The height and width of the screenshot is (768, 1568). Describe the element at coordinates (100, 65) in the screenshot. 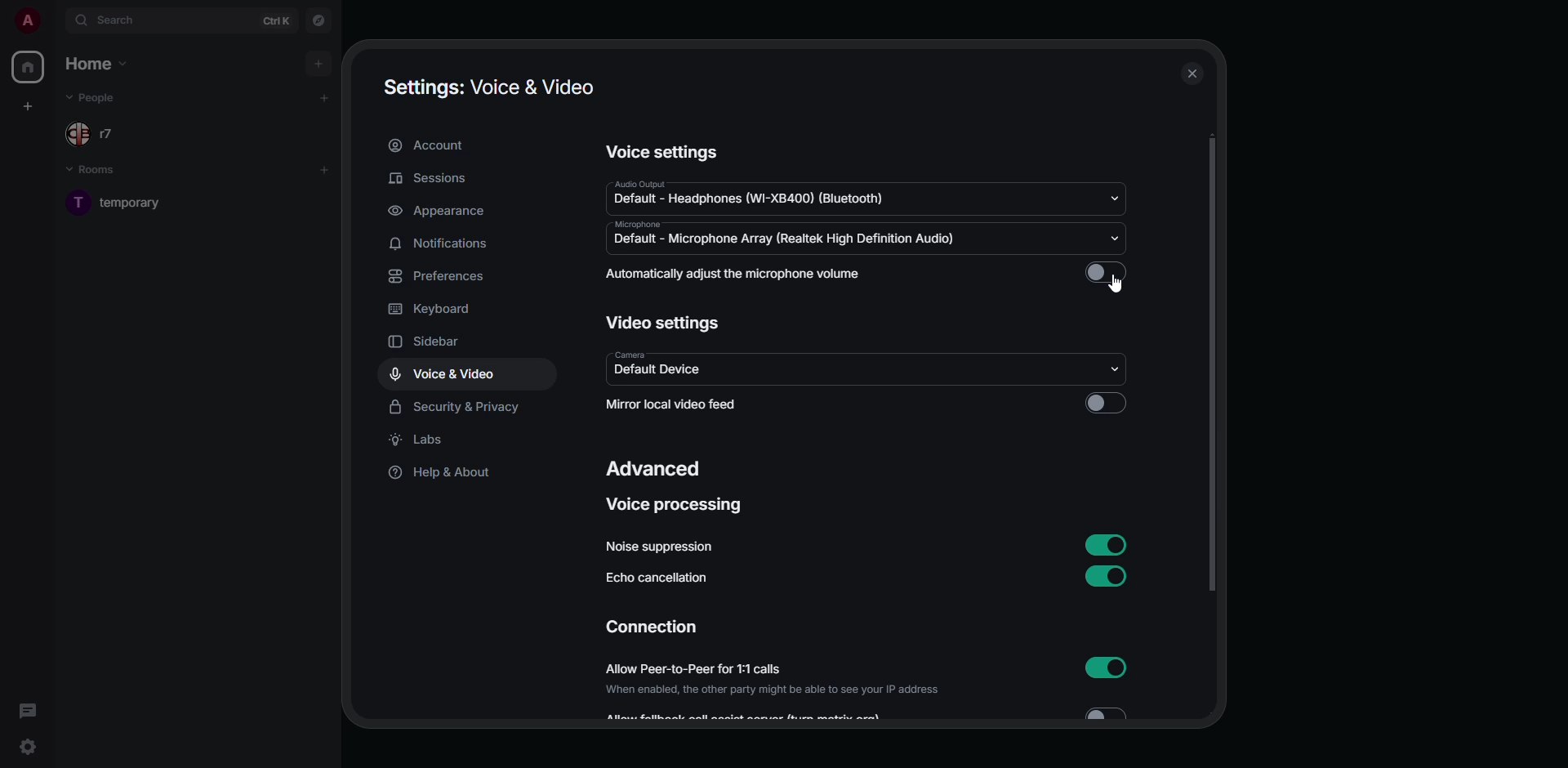

I see `home` at that location.